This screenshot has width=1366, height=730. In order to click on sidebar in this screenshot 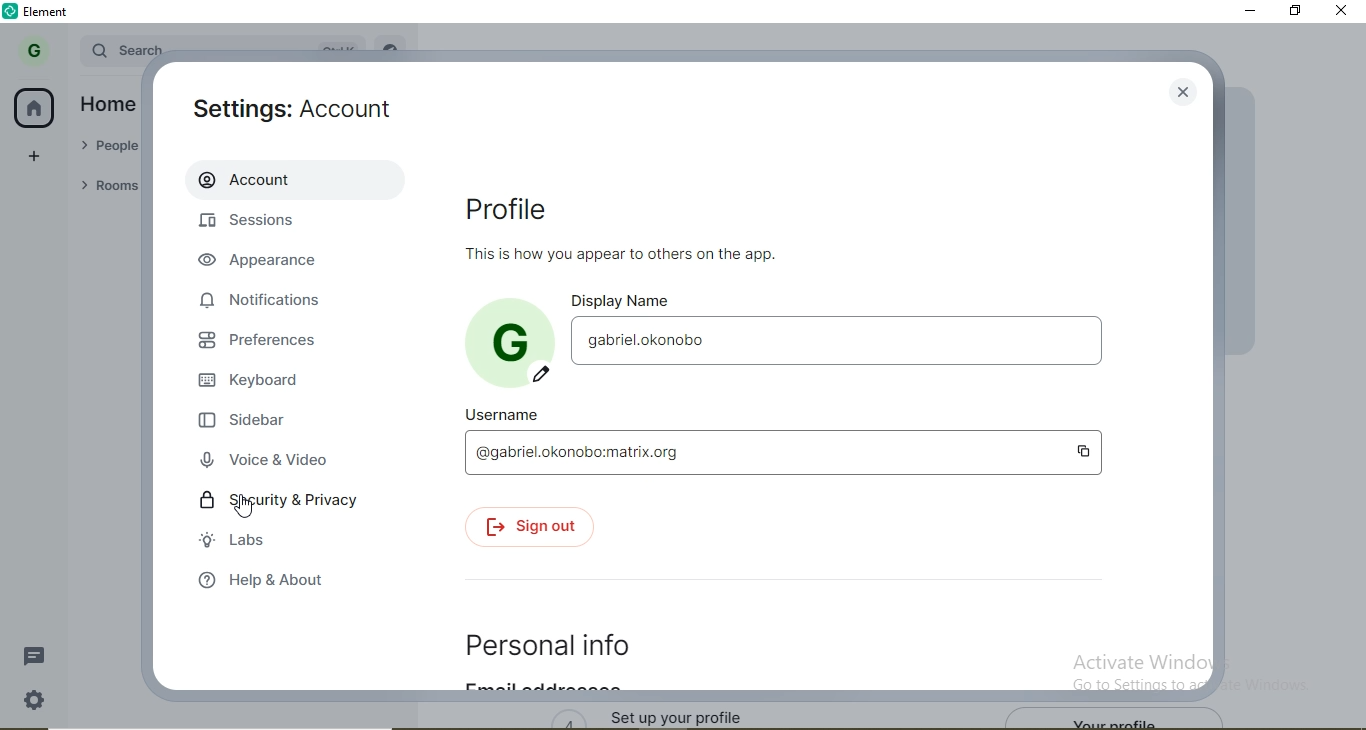, I will do `click(259, 426)`.